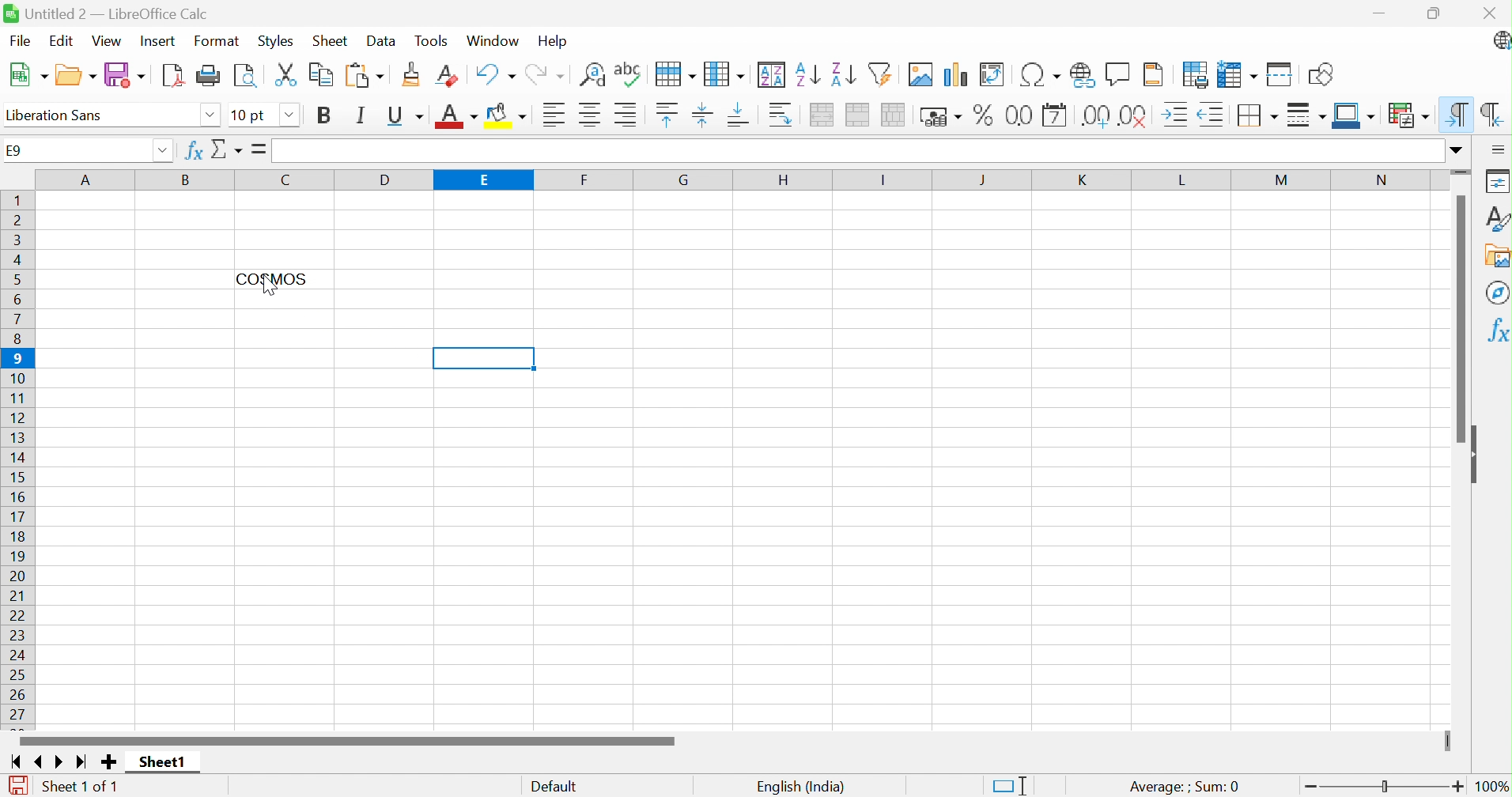 This screenshot has width=1512, height=797. I want to click on Toggle print as preview, so click(244, 78).